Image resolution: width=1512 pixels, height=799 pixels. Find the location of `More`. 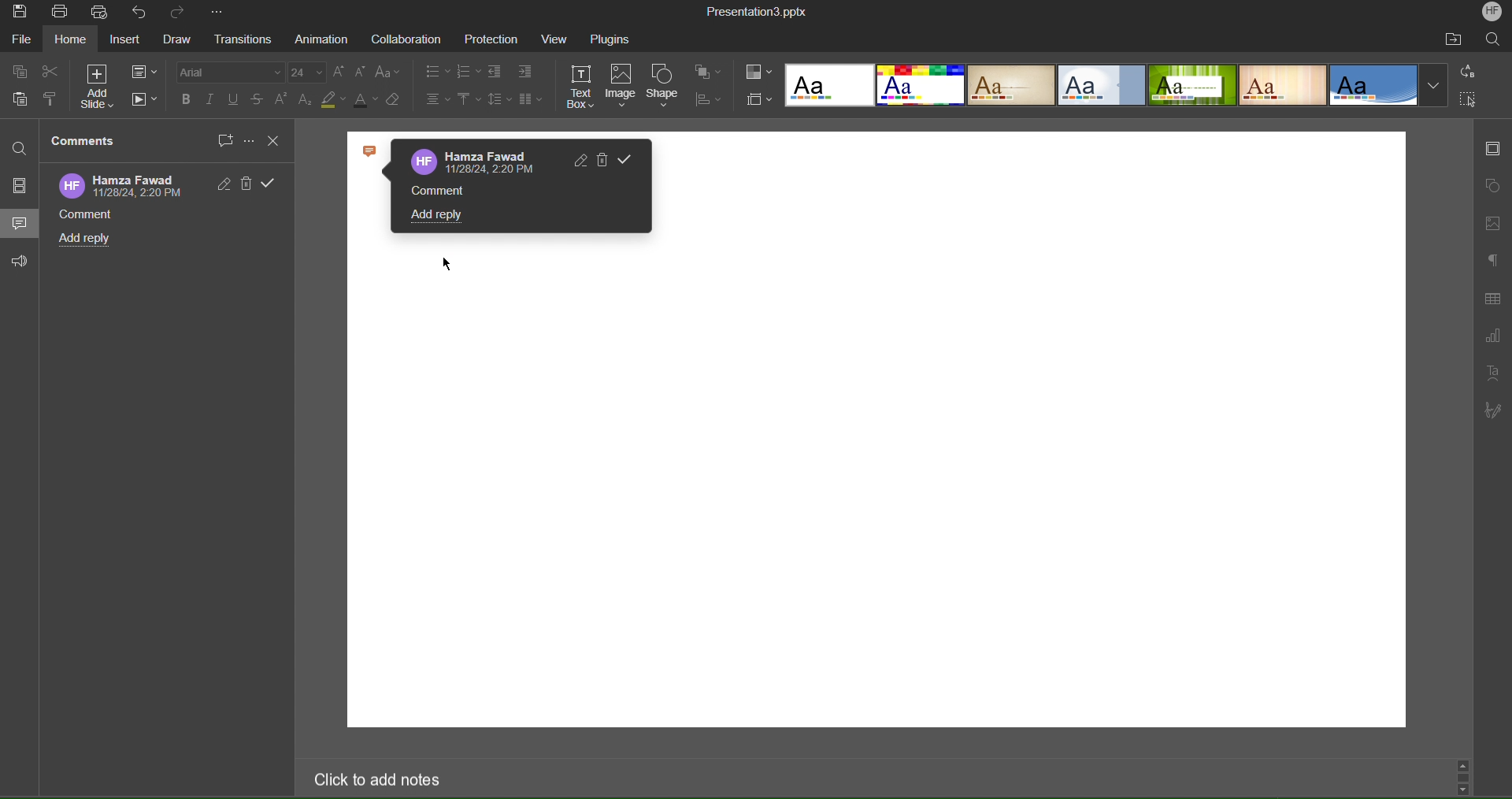

More is located at coordinates (216, 13).